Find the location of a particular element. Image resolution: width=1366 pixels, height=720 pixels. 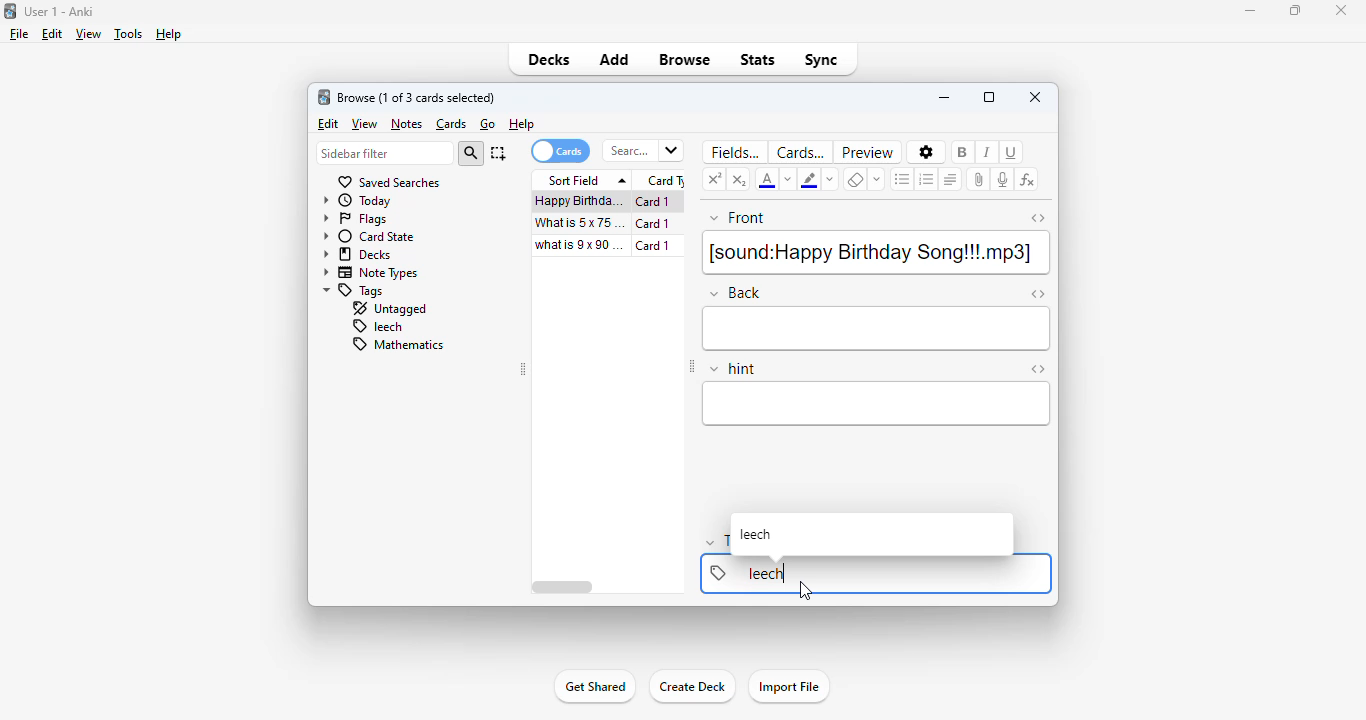

hint is located at coordinates (733, 369).